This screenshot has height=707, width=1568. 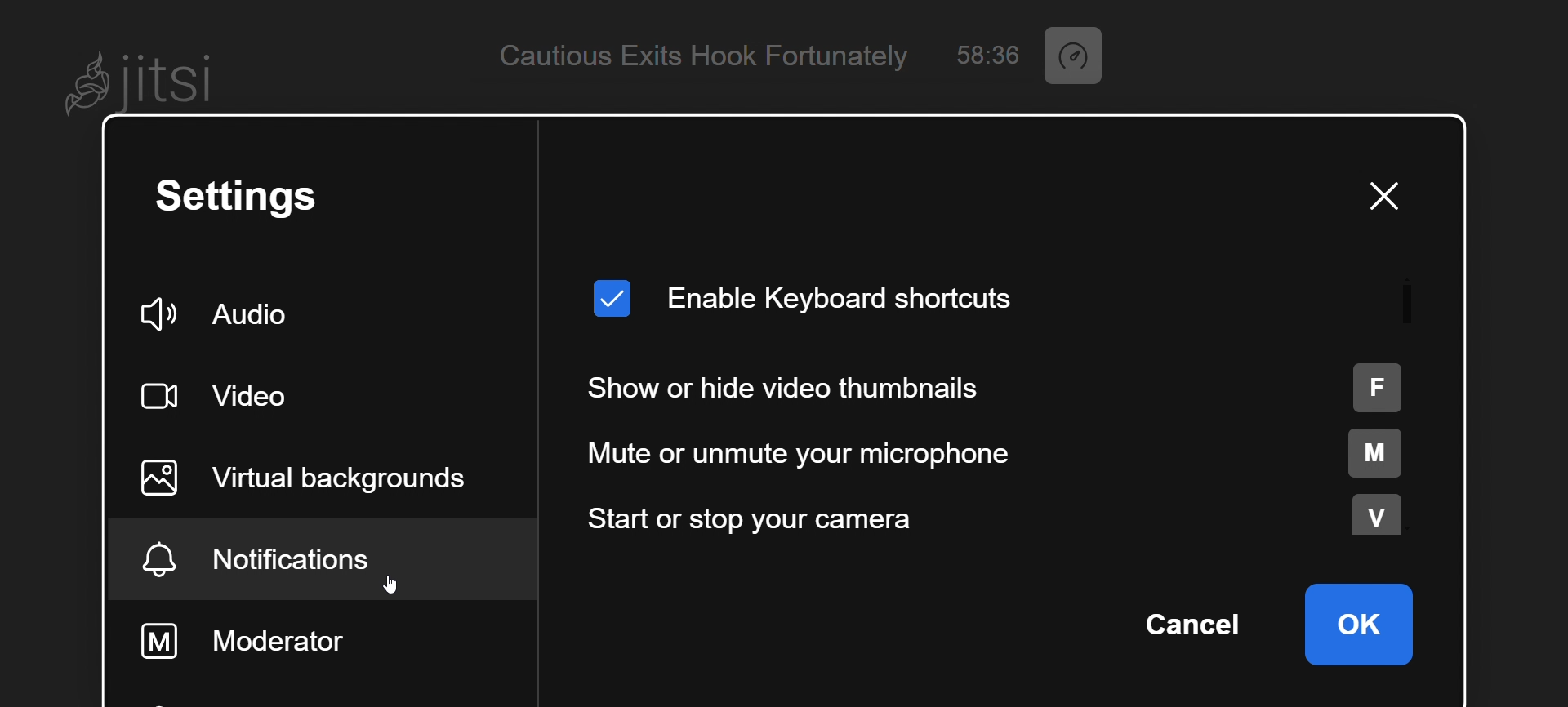 I want to click on virtual background, so click(x=308, y=475).